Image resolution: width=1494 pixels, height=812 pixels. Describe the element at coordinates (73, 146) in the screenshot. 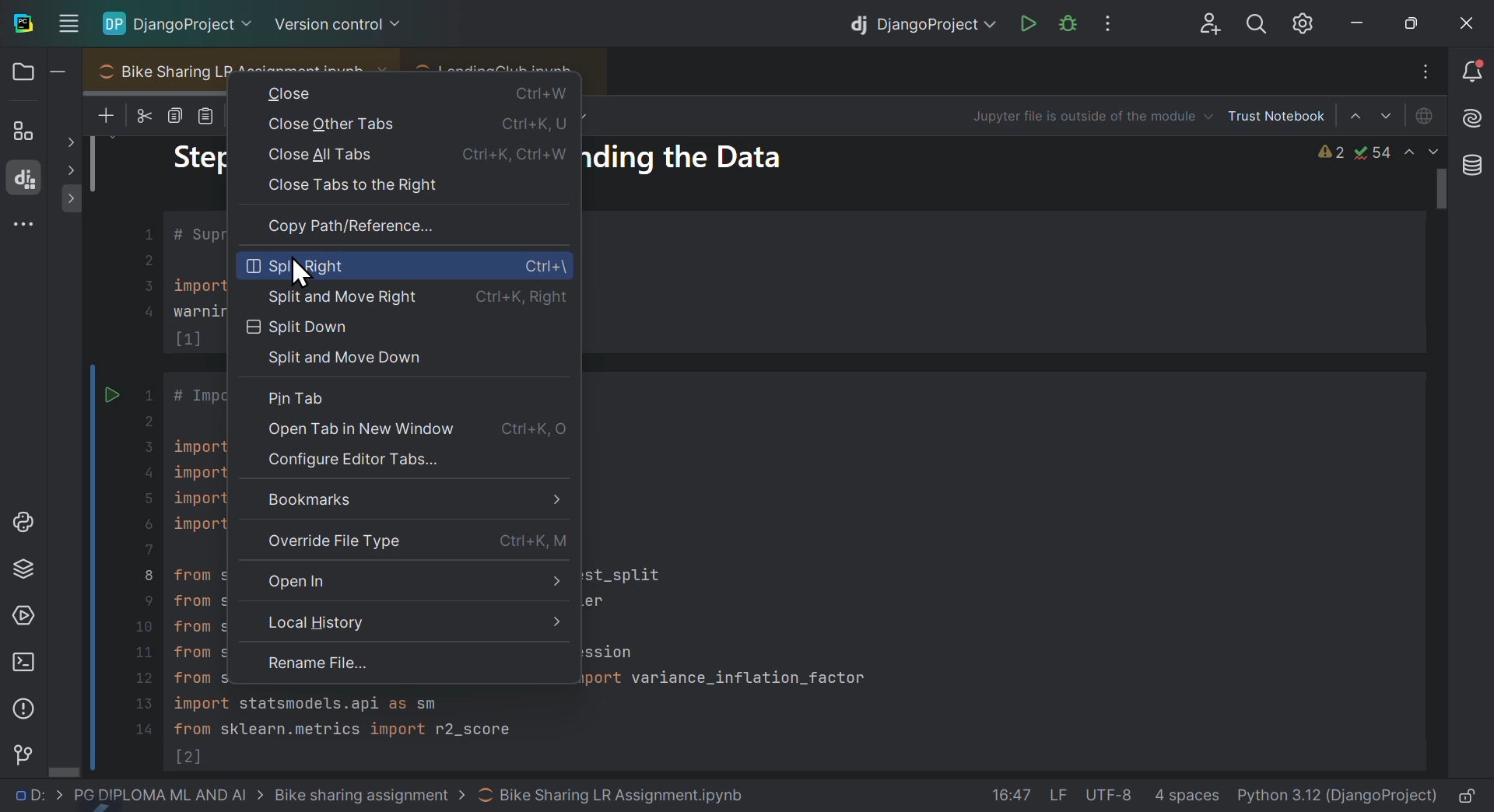

I see `show` at that location.